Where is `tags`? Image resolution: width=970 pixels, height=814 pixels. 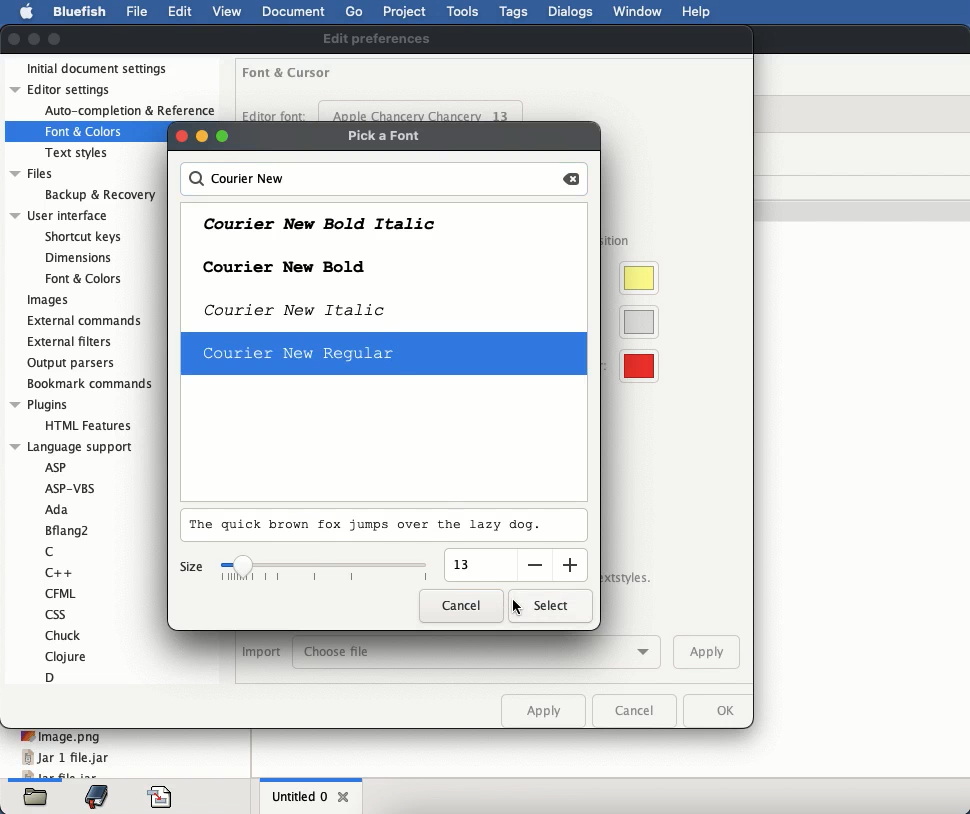
tags is located at coordinates (514, 12).